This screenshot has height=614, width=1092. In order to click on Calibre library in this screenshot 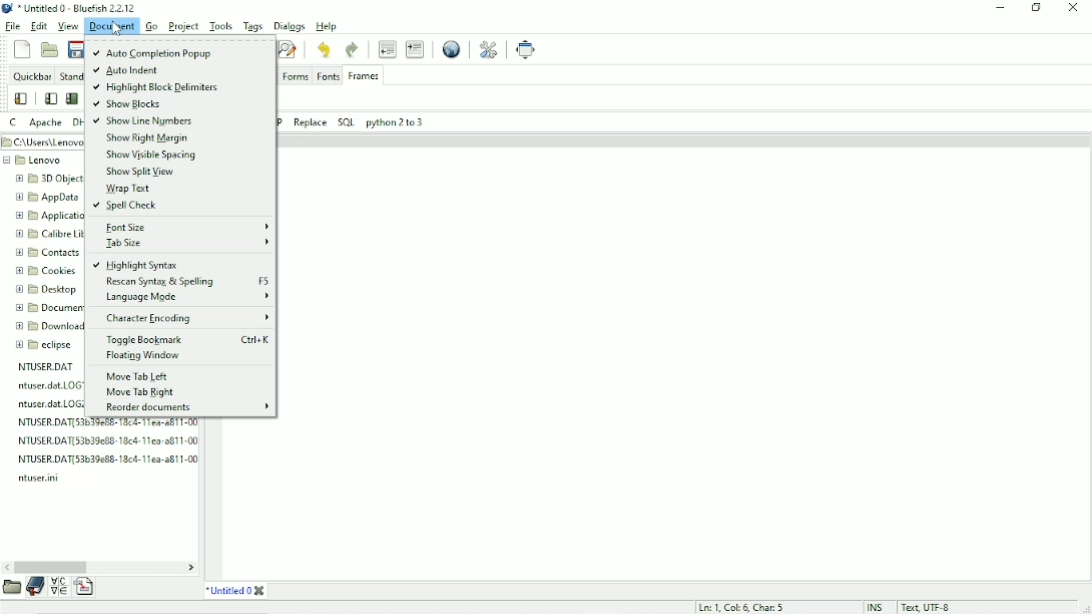, I will do `click(49, 234)`.